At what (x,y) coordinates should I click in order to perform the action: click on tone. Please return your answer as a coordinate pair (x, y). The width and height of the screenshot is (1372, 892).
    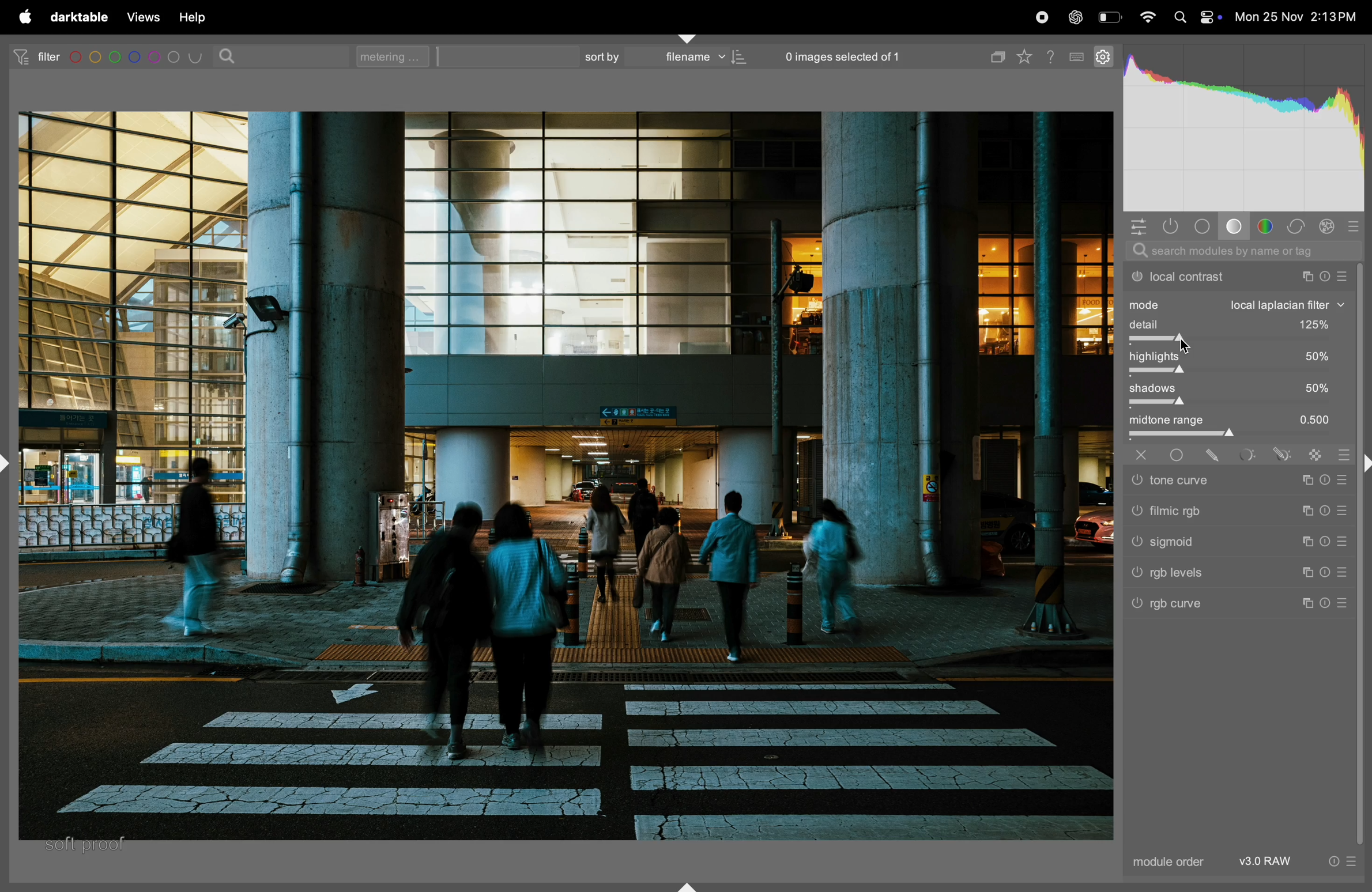
    Looking at the image, I should click on (1204, 225).